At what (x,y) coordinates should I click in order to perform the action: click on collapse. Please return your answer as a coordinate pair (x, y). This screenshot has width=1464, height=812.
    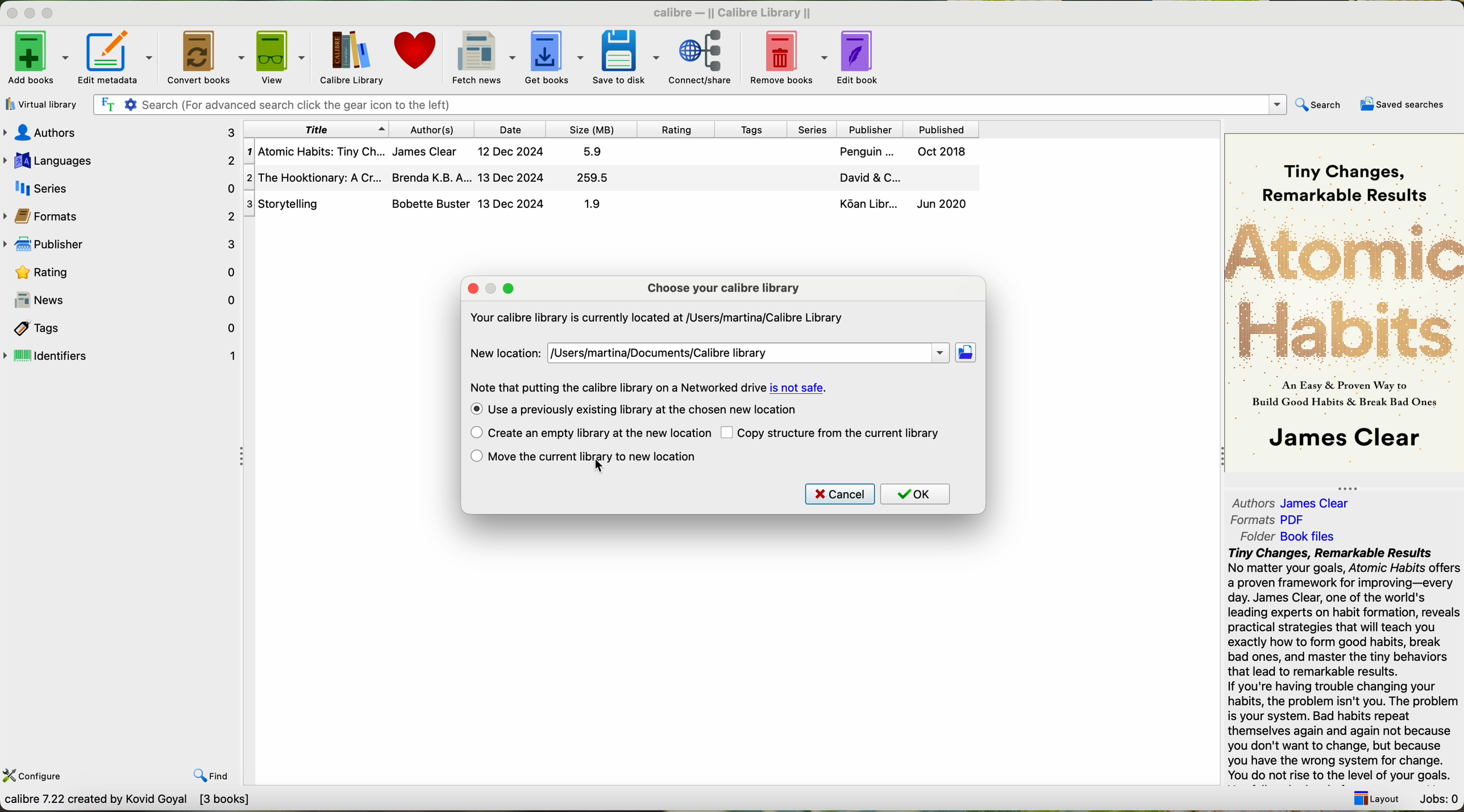
    Looking at the image, I should click on (1354, 485).